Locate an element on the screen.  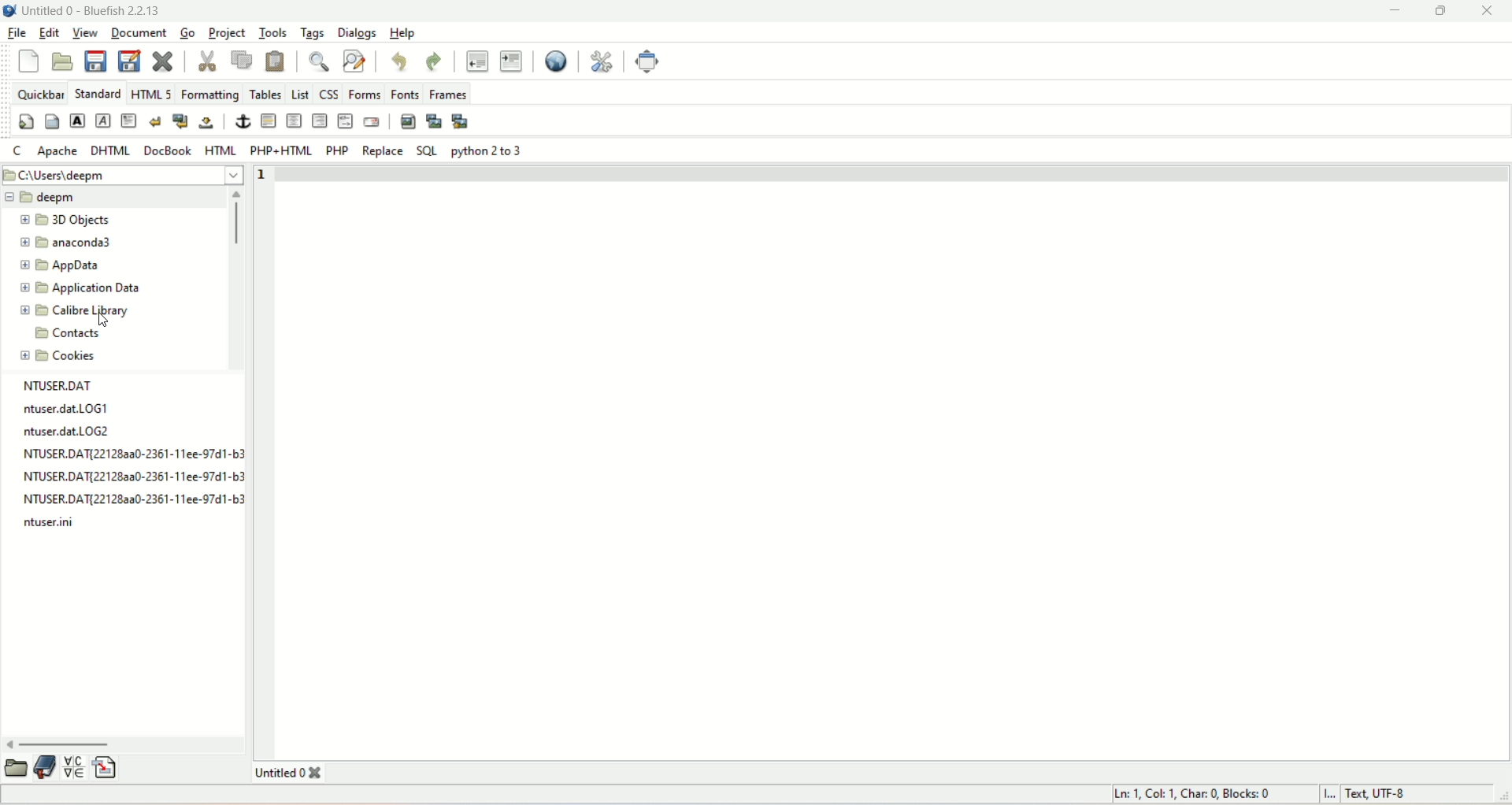
preview in browser is located at coordinates (553, 60).